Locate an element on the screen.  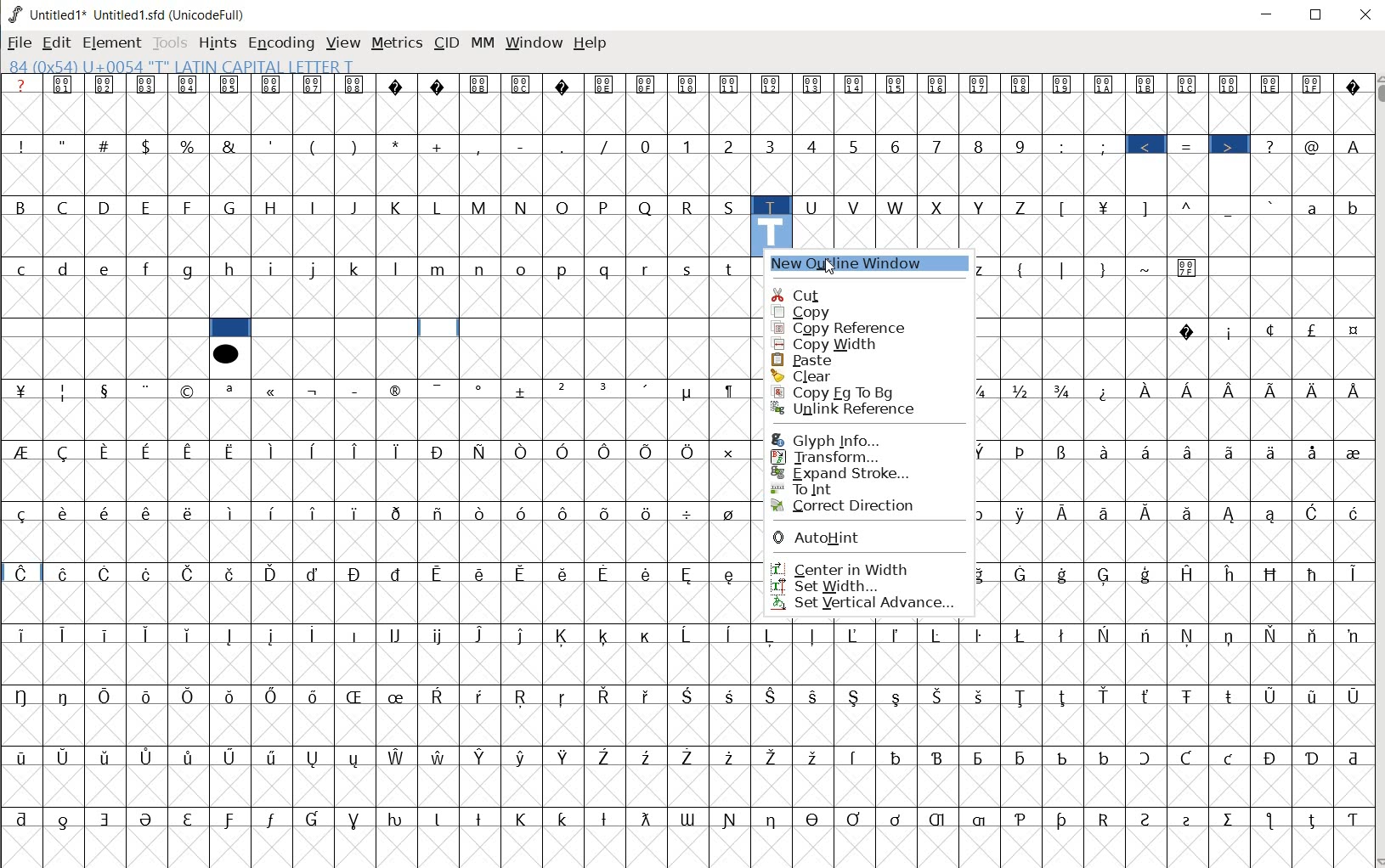
maximize is located at coordinates (1317, 14).